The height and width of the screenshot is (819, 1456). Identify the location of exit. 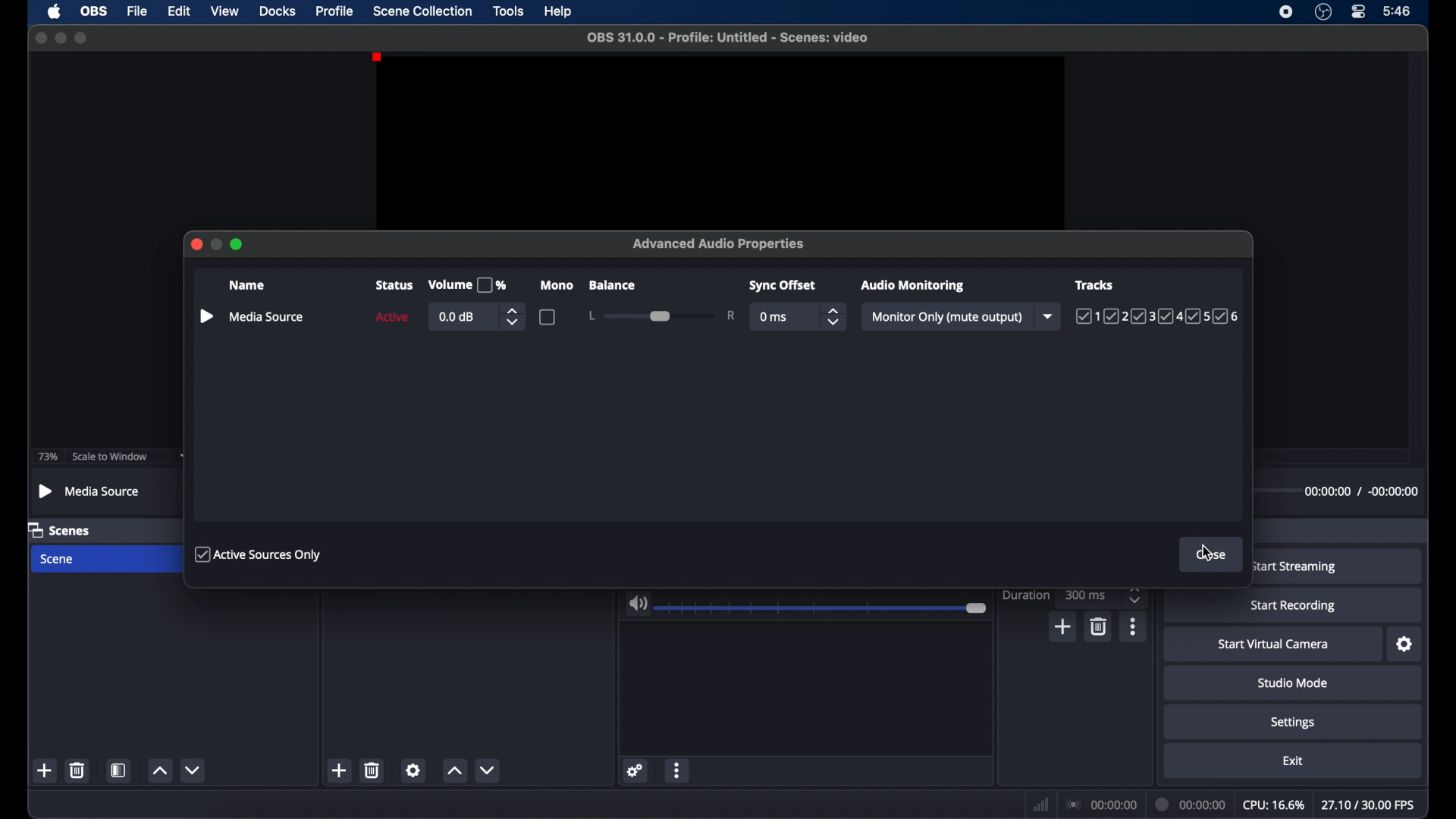
(1293, 761).